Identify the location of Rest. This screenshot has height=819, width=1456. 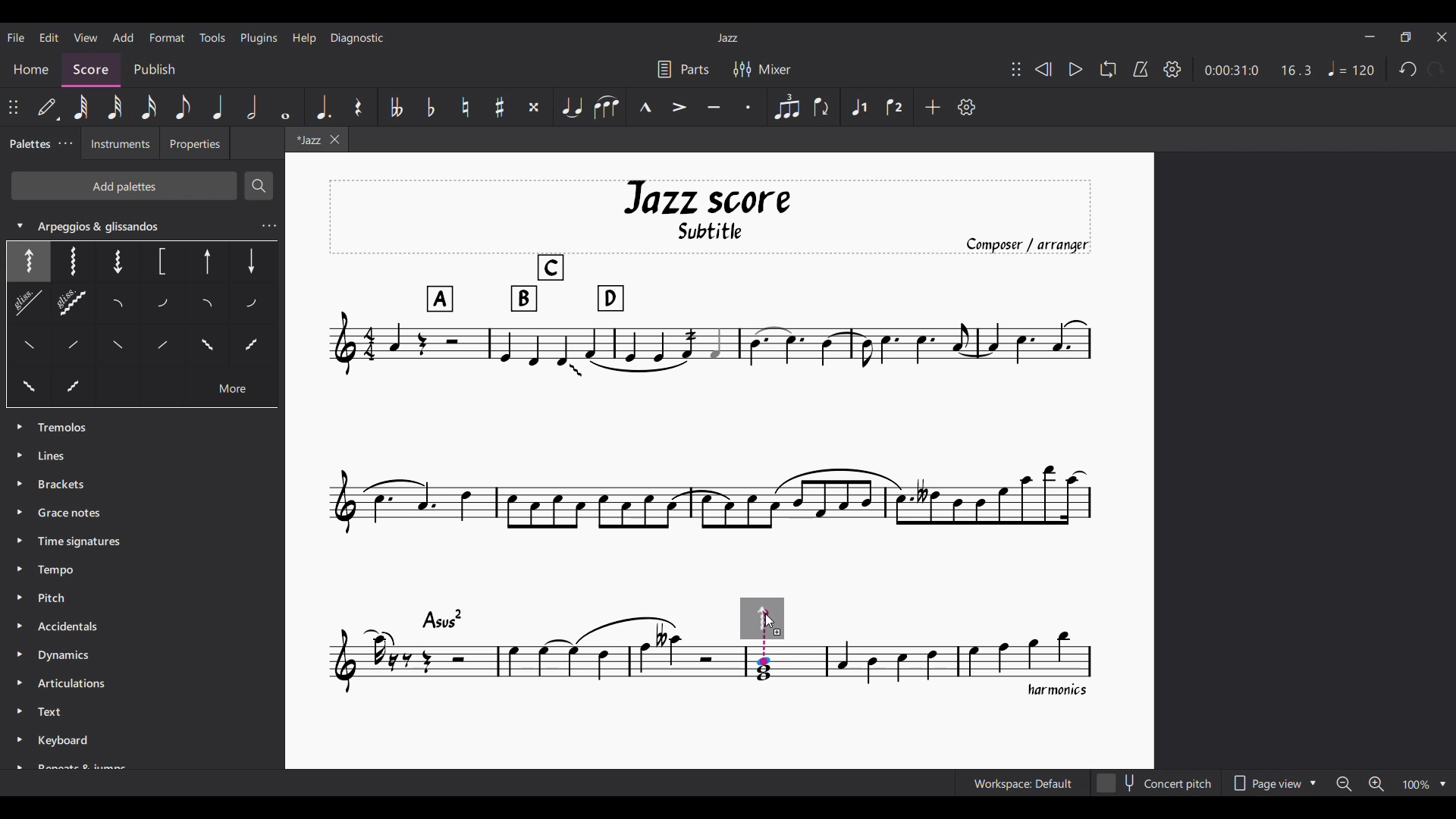
(358, 108).